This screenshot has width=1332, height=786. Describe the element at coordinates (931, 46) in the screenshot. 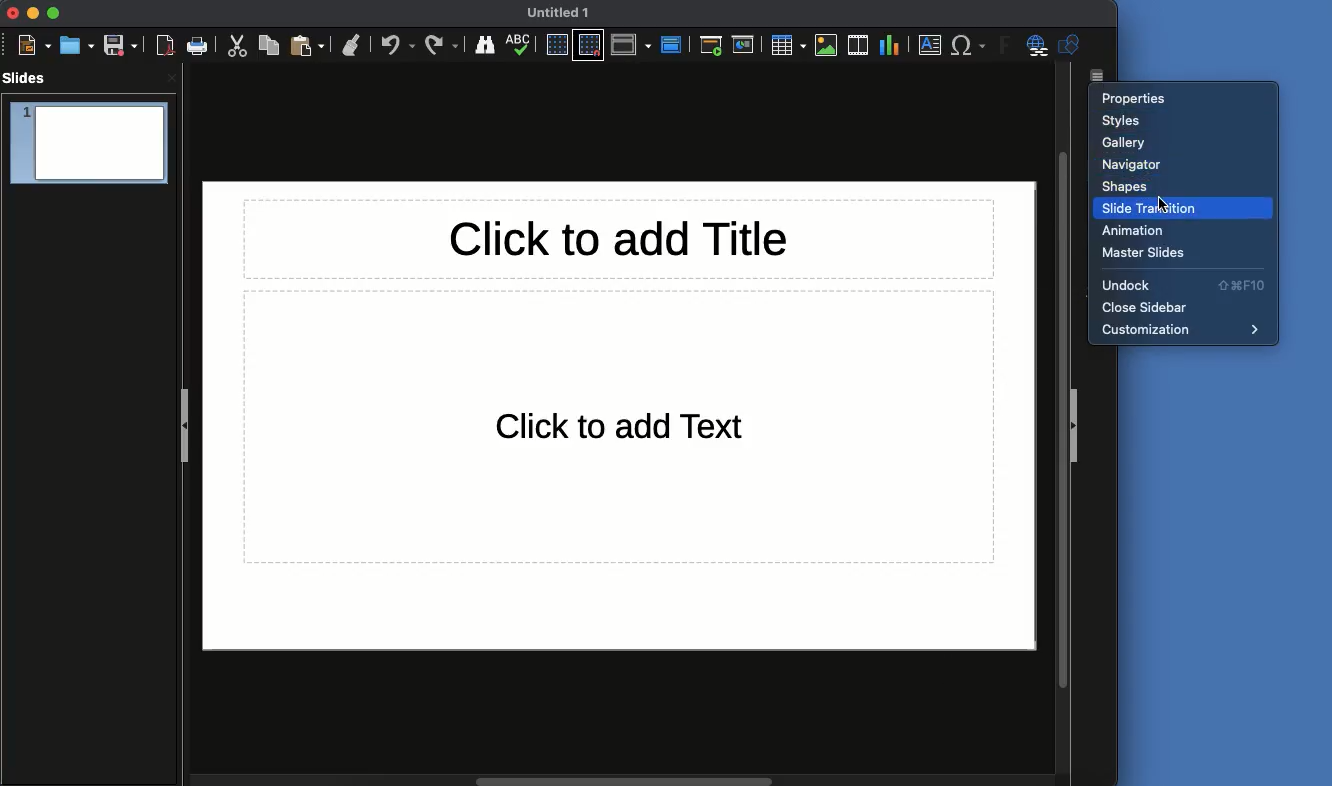

I see `Textbox` at that location.